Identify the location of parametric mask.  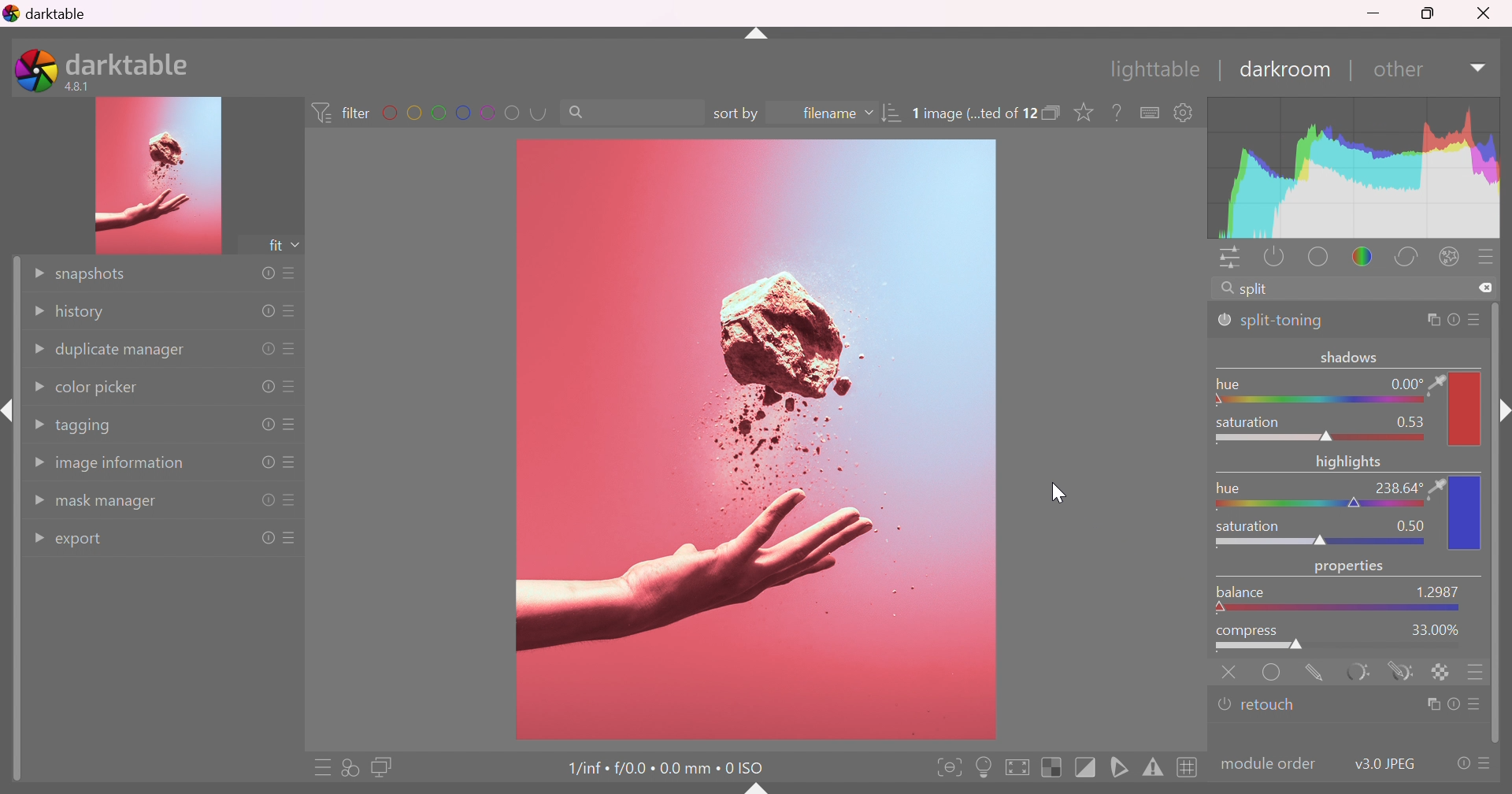
(1361, 674).